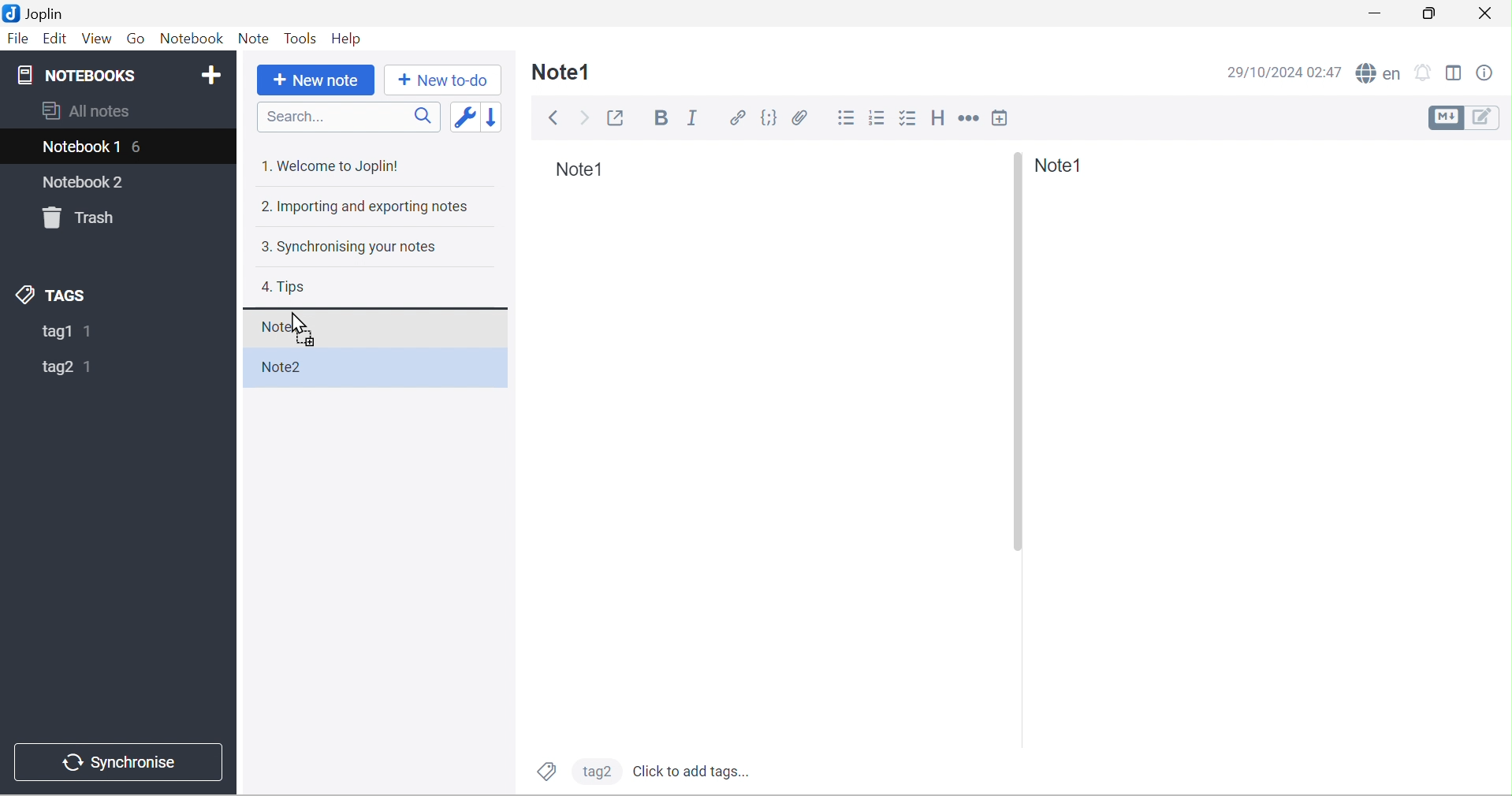  Describe the element at coordinates (55, 332) in the screenshot. I see `tag1` at that location.